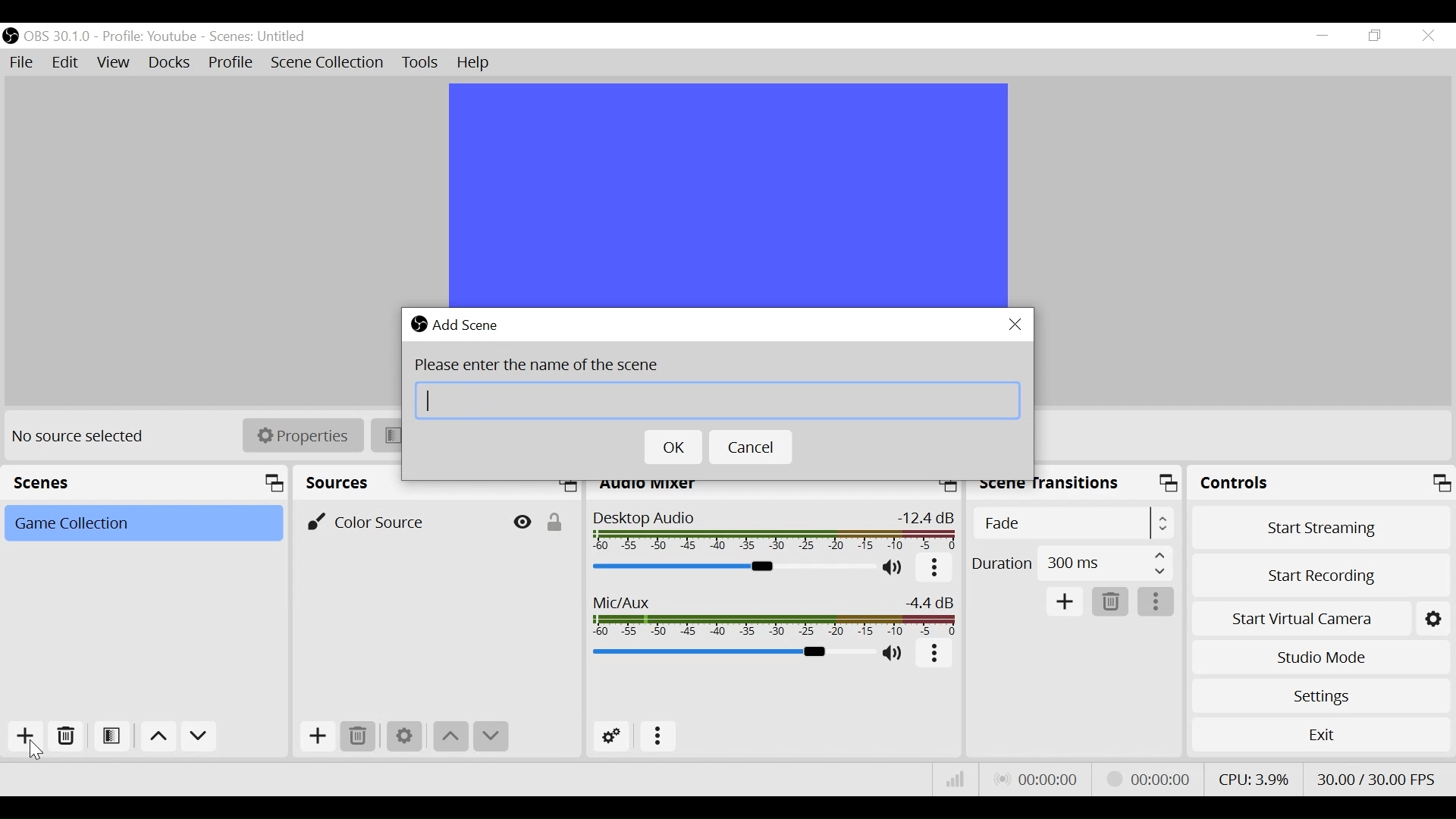  What do you see at coordinates (776, 616) in the screenshot?
I see `Mic/Aux` at bounding box center [776, 616].